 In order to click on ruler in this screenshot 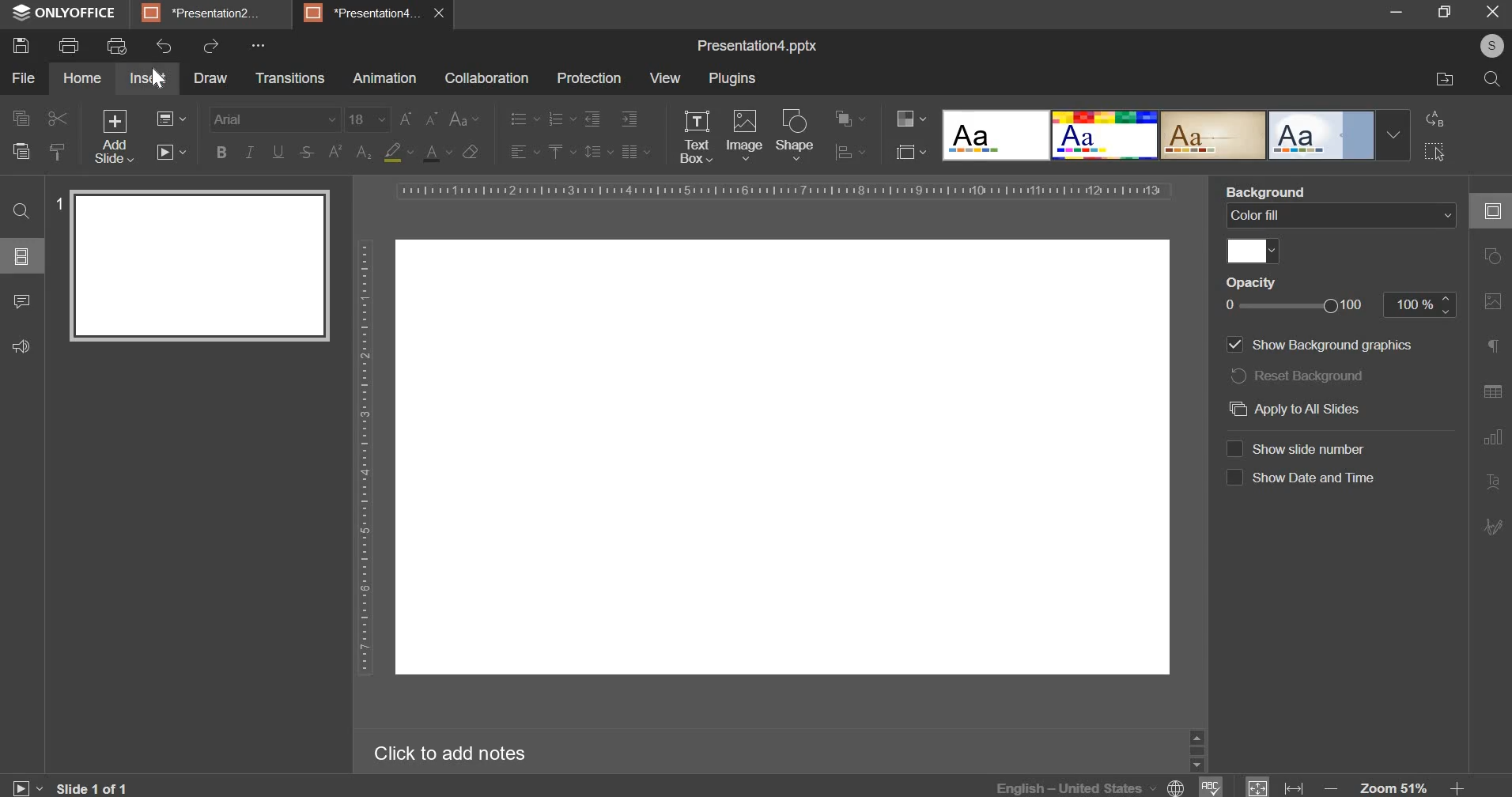, I will do `click(784, 190)`.